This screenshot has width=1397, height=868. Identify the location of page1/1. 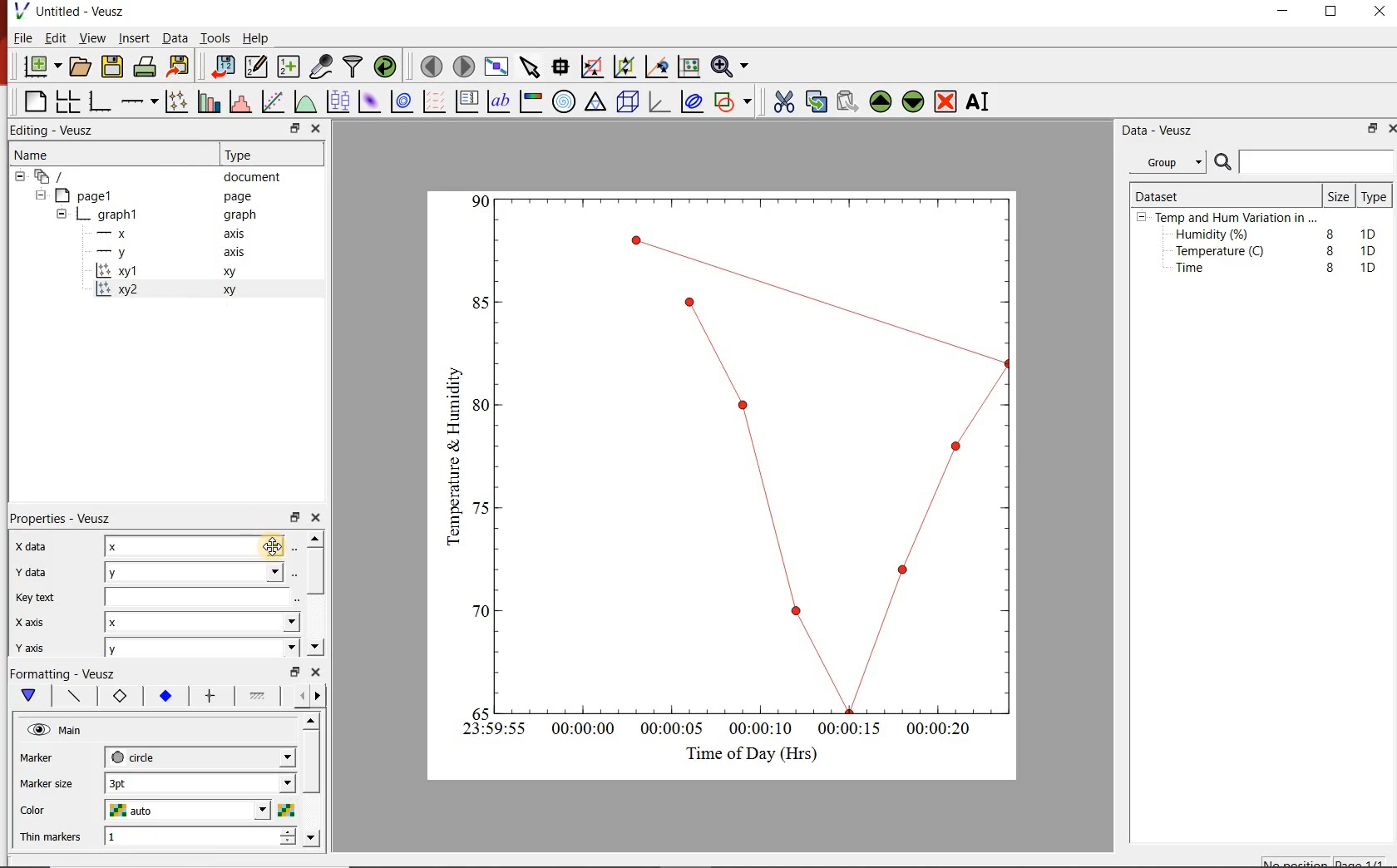
(1365, 861).